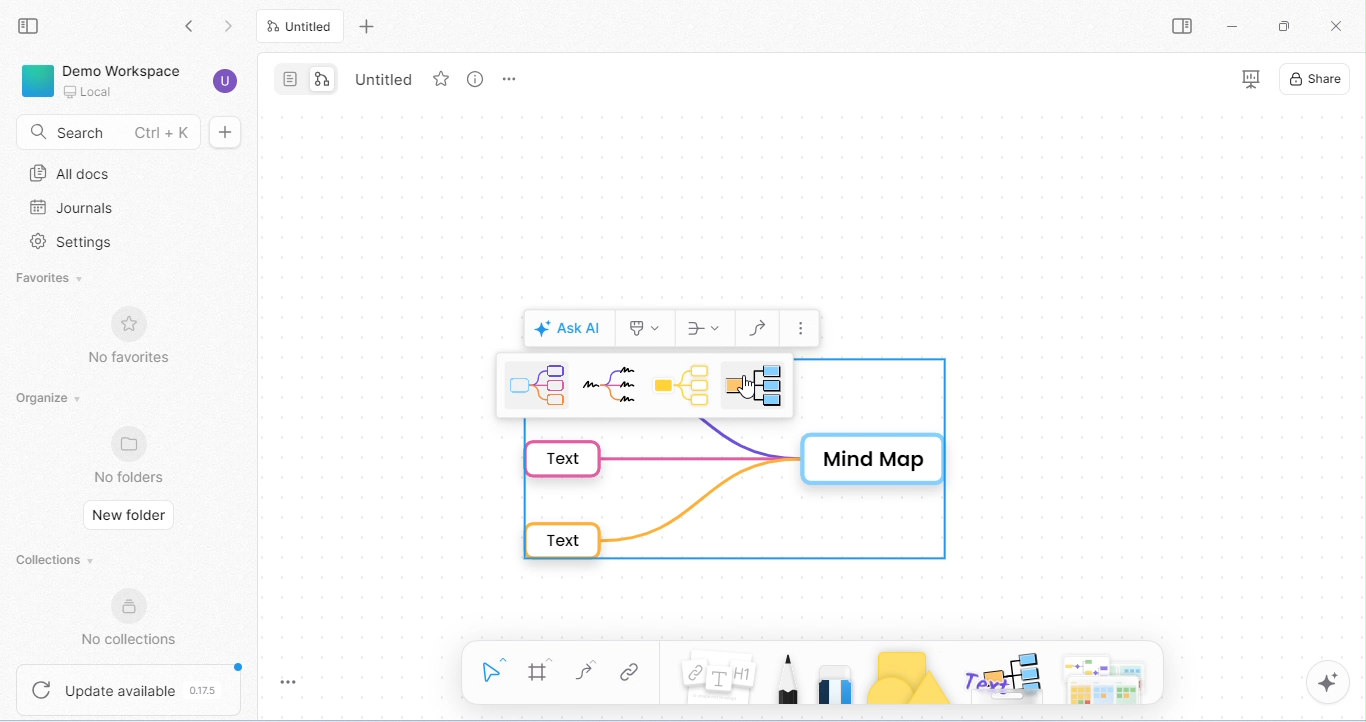 Image resolution: width=1366 pixels, height=722 pixels. I want to click on more, so click(802, 329).